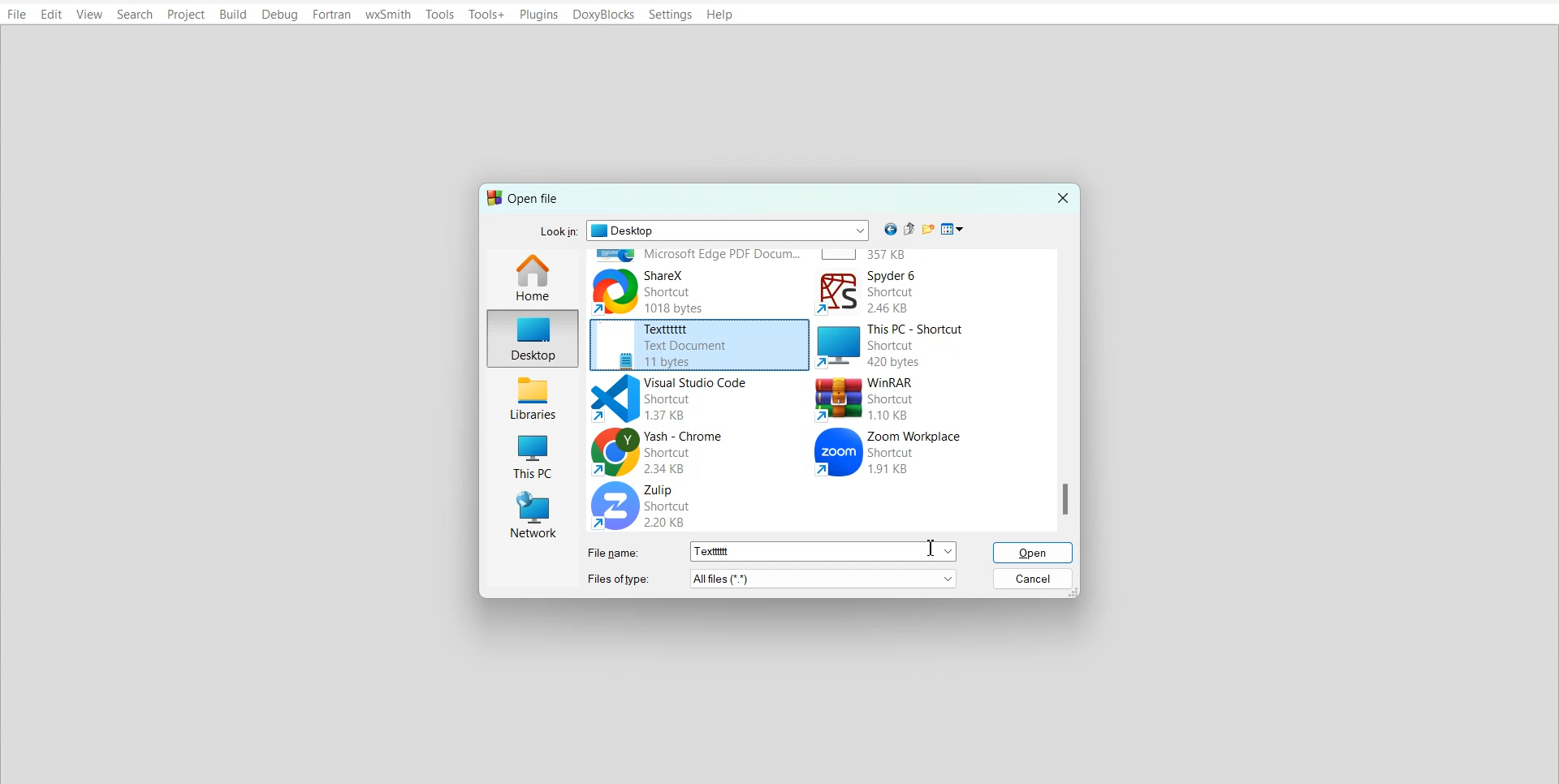 This screenshot has width=1559, height=784. Describe the element at coordinates (918, 452) in the screenshot. I see `Zoom` at that location.